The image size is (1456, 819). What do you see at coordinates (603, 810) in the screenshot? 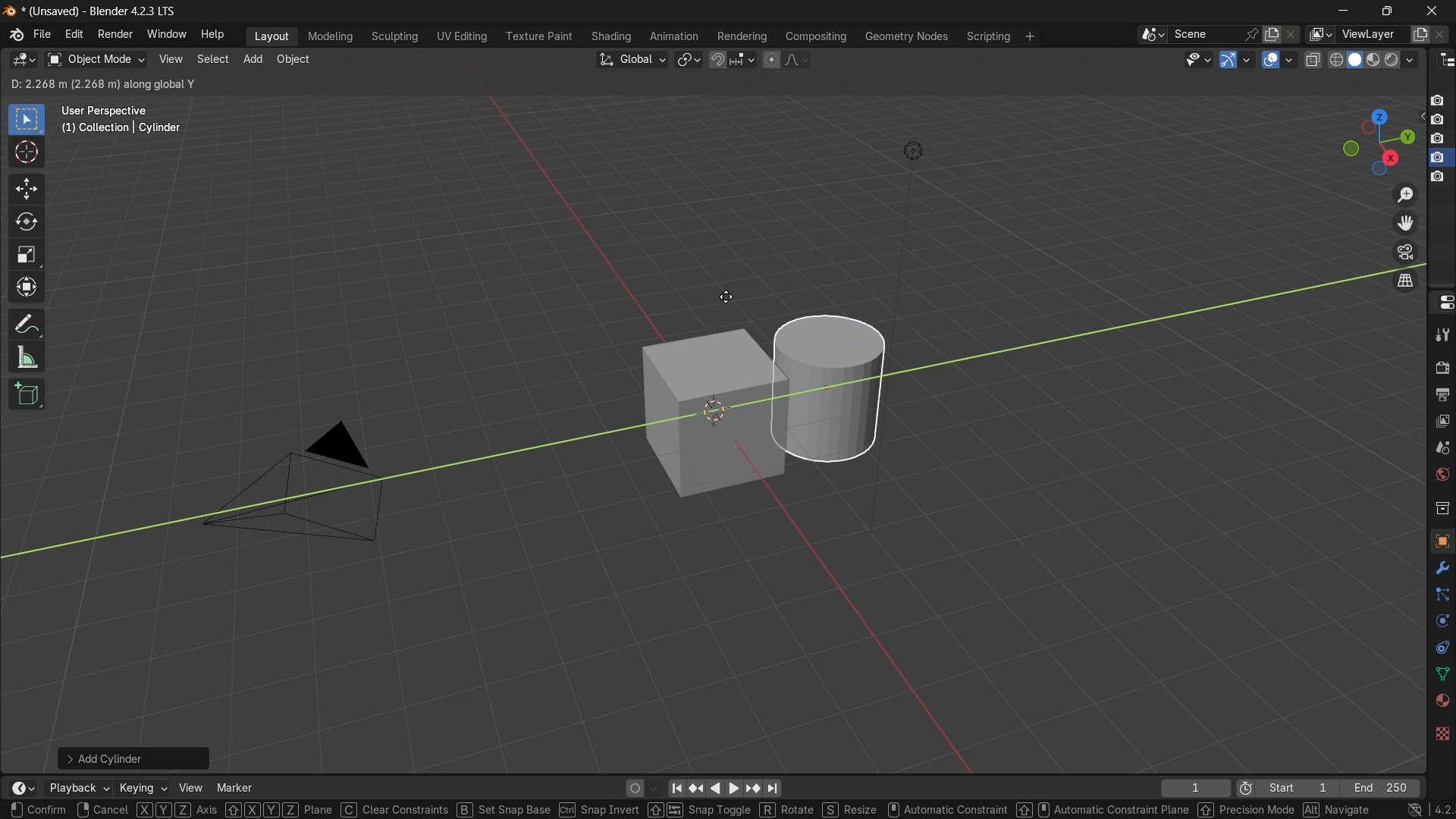
I see `snap invert` at bounding box center [603, 810].